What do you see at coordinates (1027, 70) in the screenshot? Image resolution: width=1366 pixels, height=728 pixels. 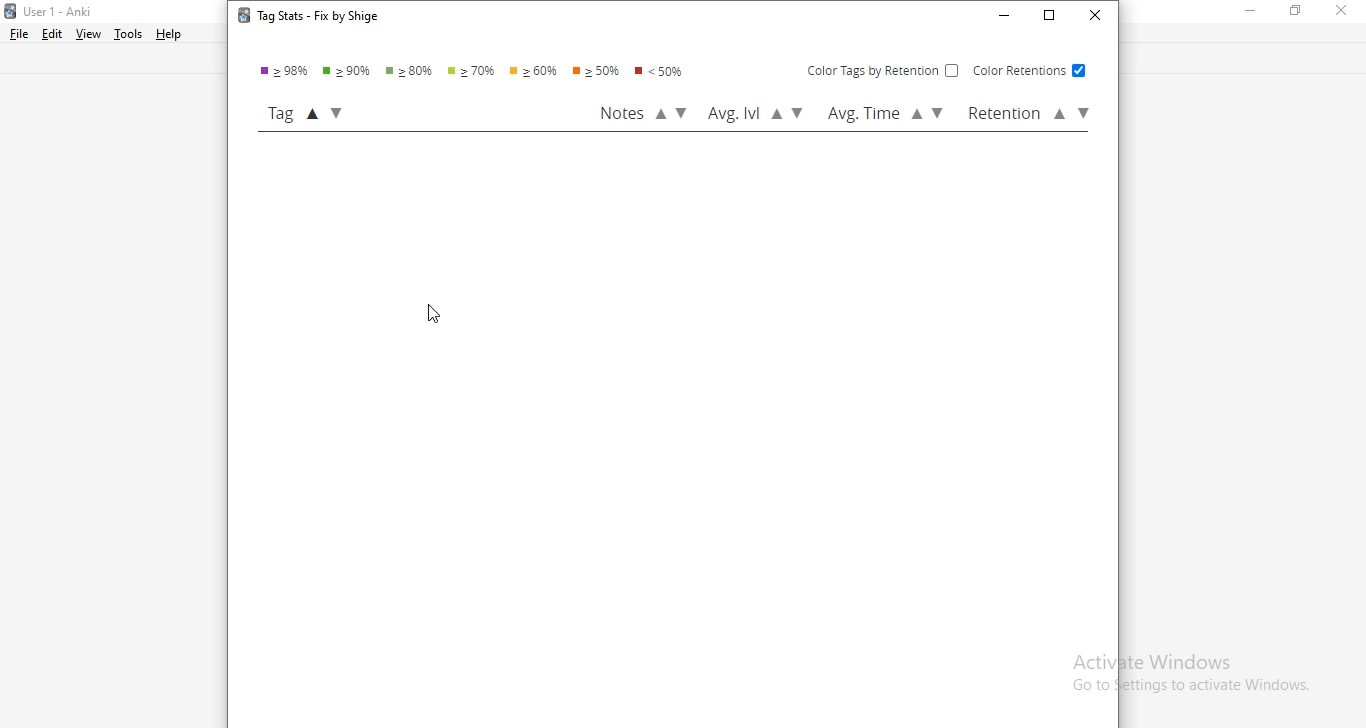 I see `color retentions` at bounding box center [1027, 70].